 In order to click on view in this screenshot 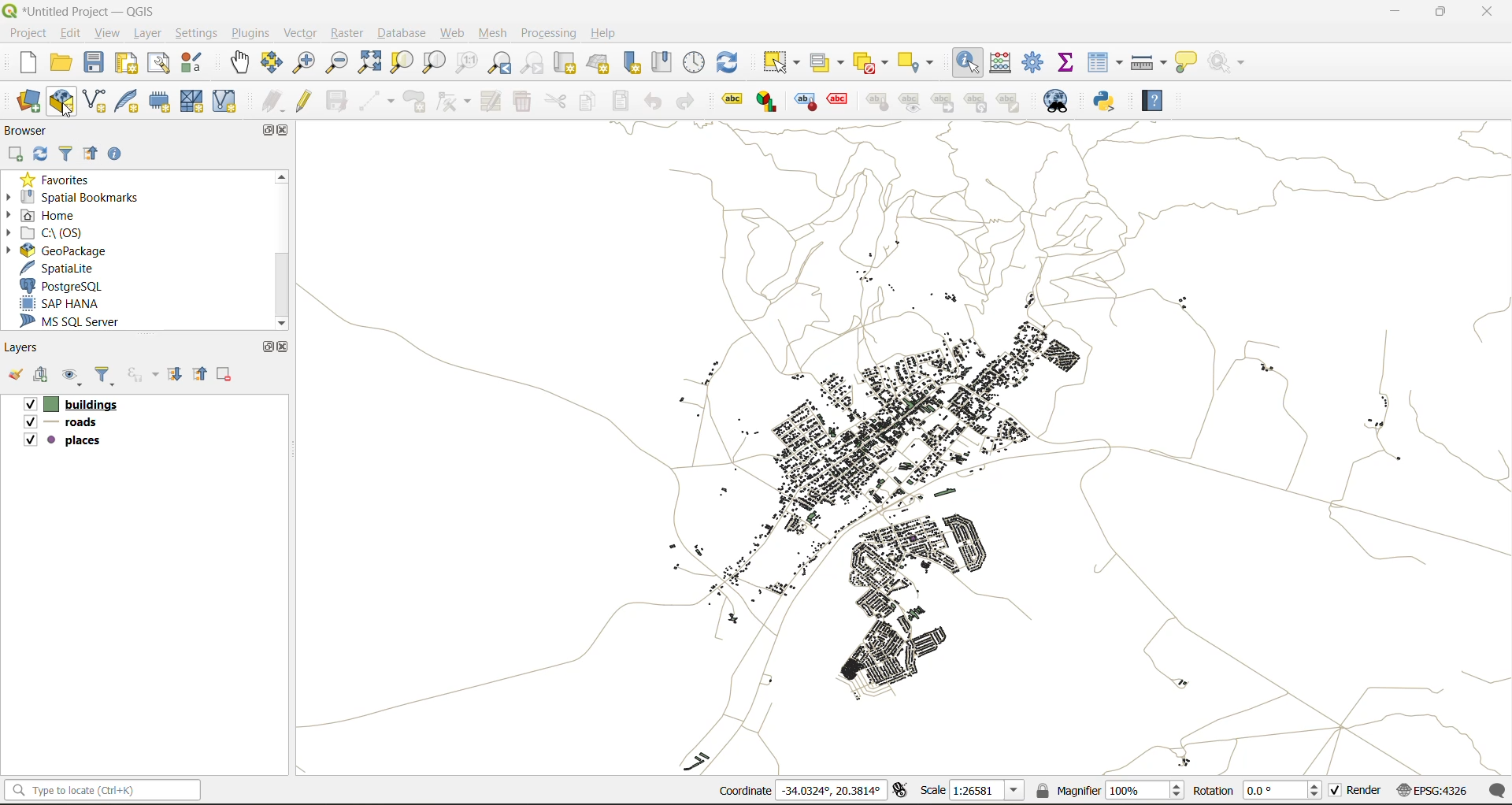, I will do `click(109, 32)`.